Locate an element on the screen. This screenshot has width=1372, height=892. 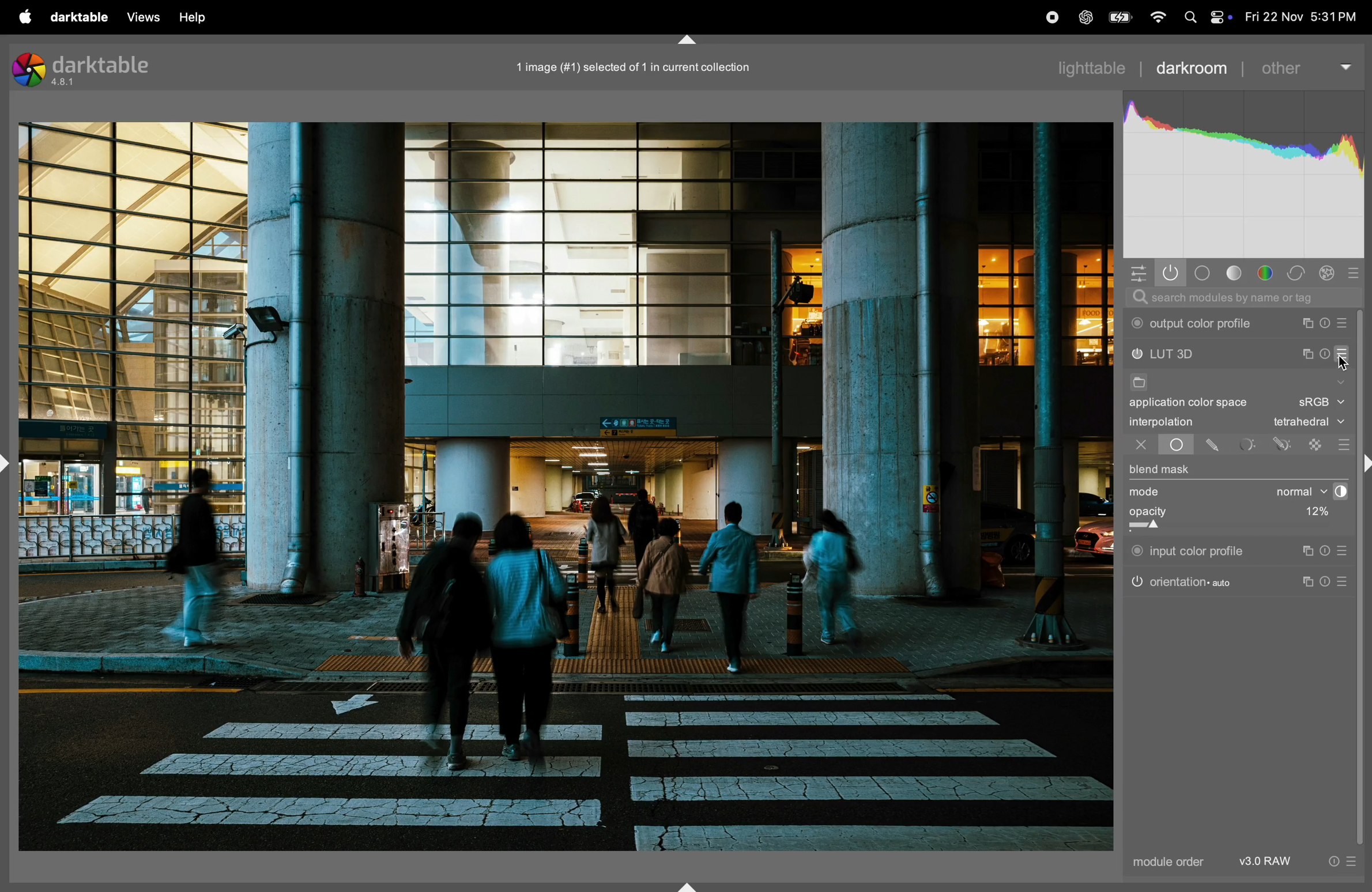
chatgpt is located at coordinates (1085, 18).